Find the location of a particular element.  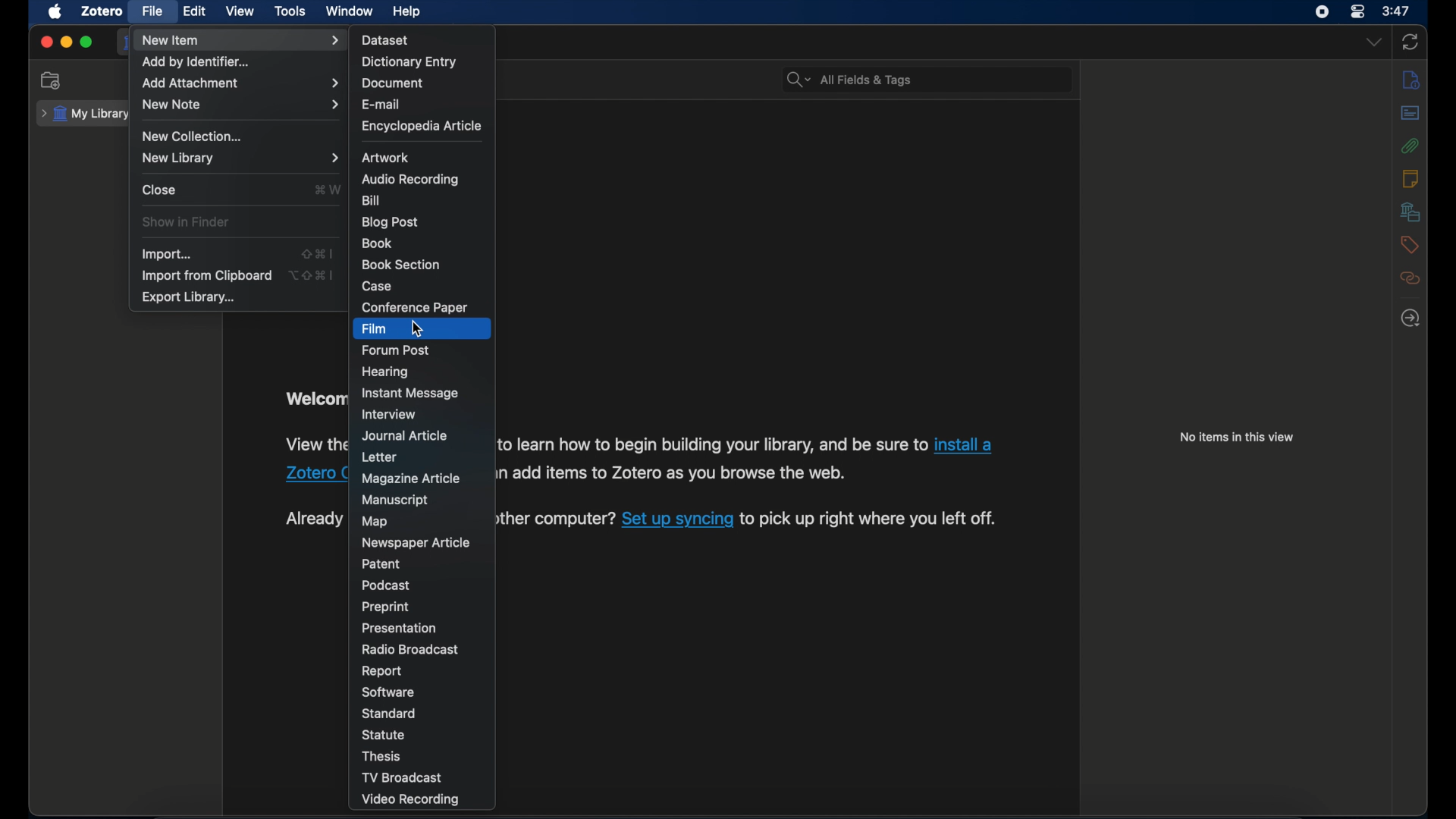

show in finder is located at coordinates (188, 222).